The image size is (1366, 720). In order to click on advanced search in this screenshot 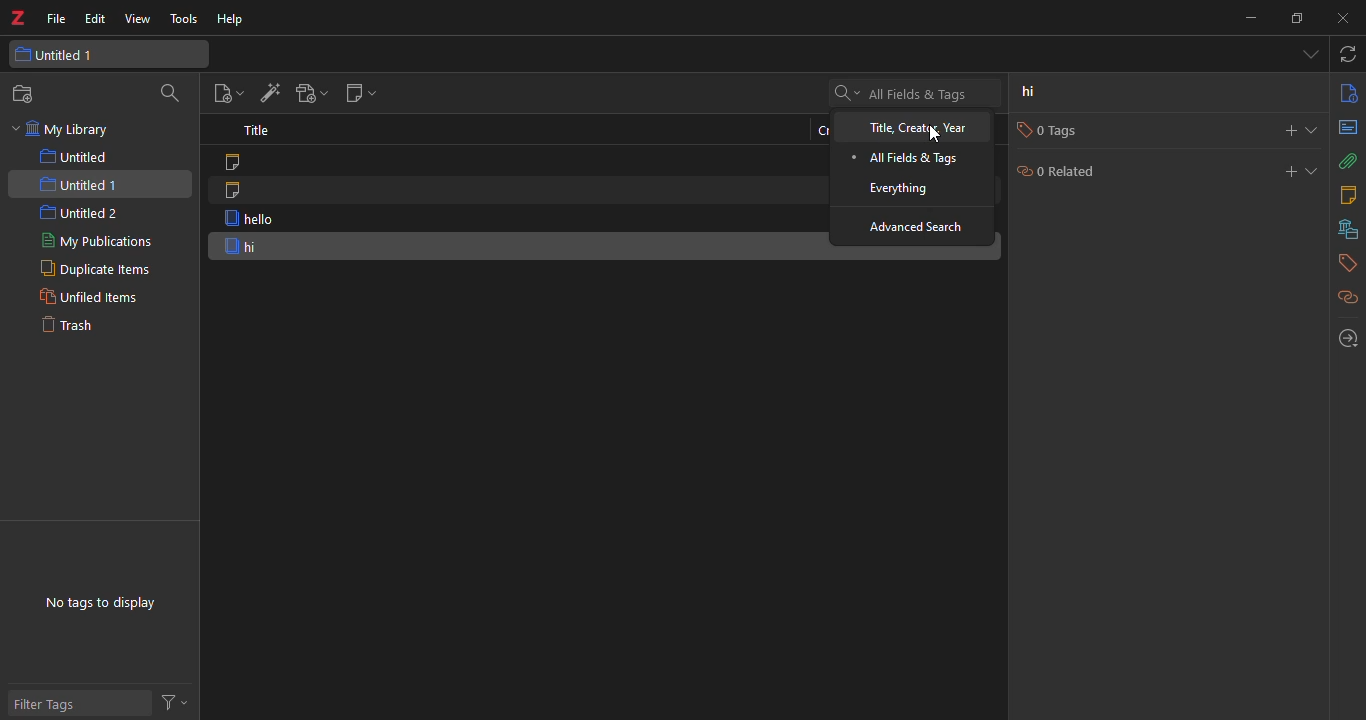, I will do `click(922, 228)`.